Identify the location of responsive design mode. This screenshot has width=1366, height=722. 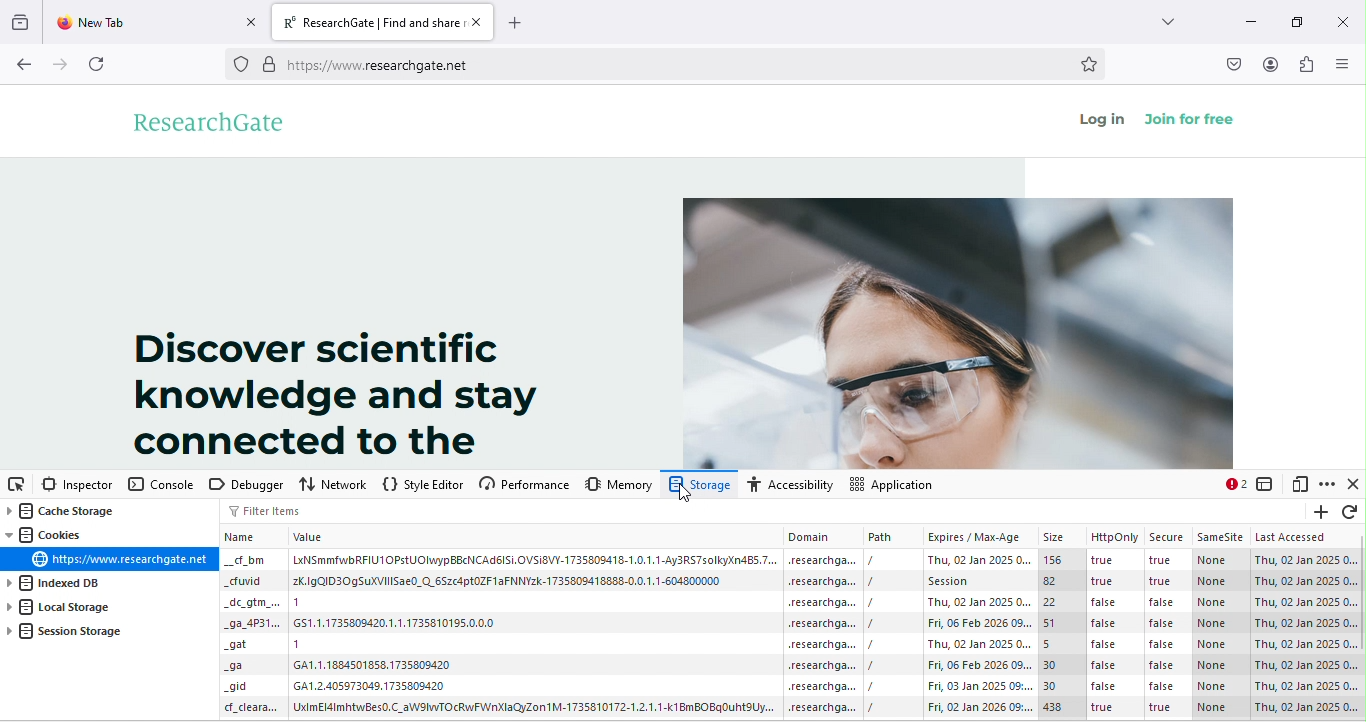
(1298, 485).